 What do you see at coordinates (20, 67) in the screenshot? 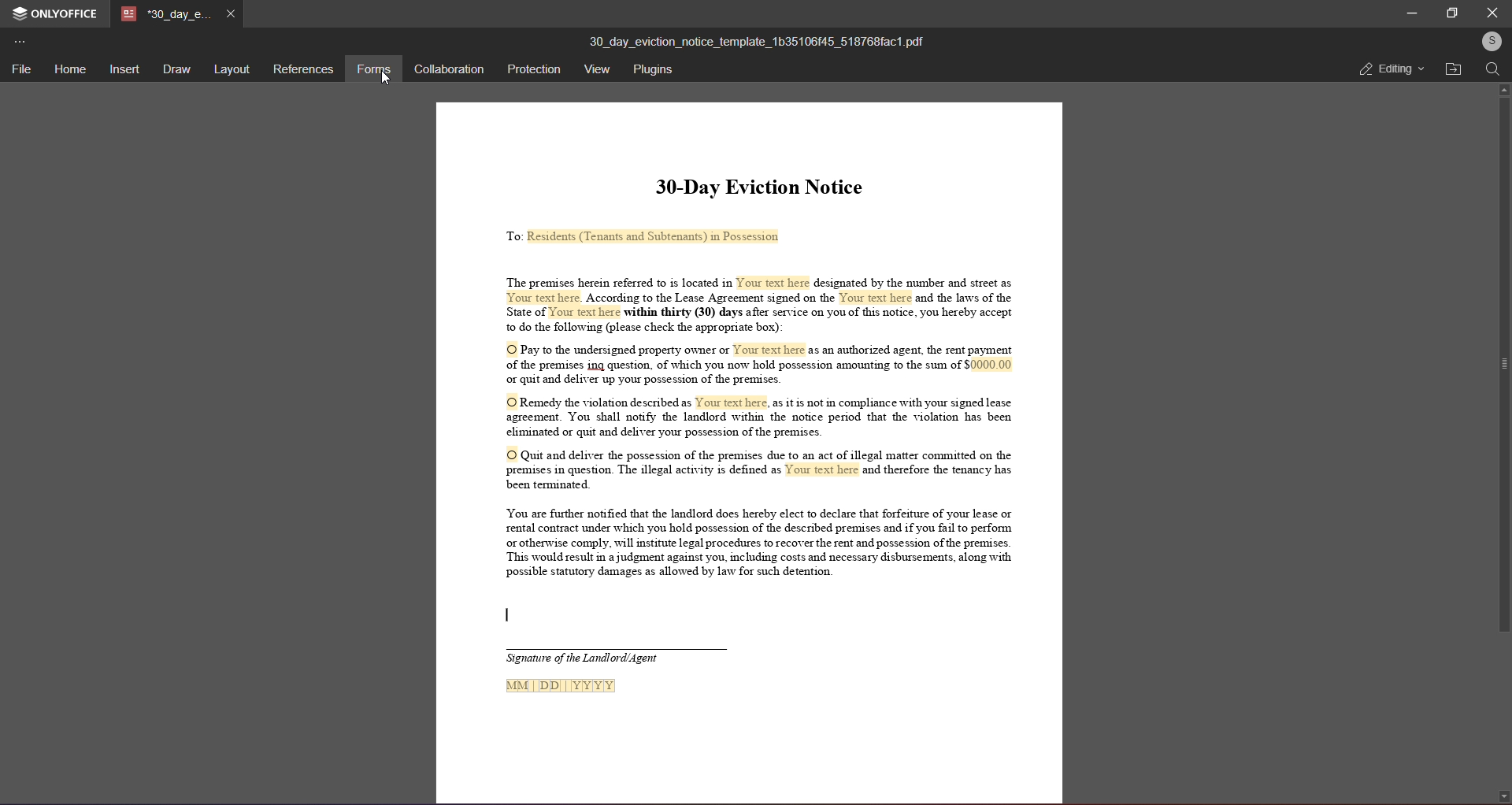
I see `file` at bounding box center [20, 67].